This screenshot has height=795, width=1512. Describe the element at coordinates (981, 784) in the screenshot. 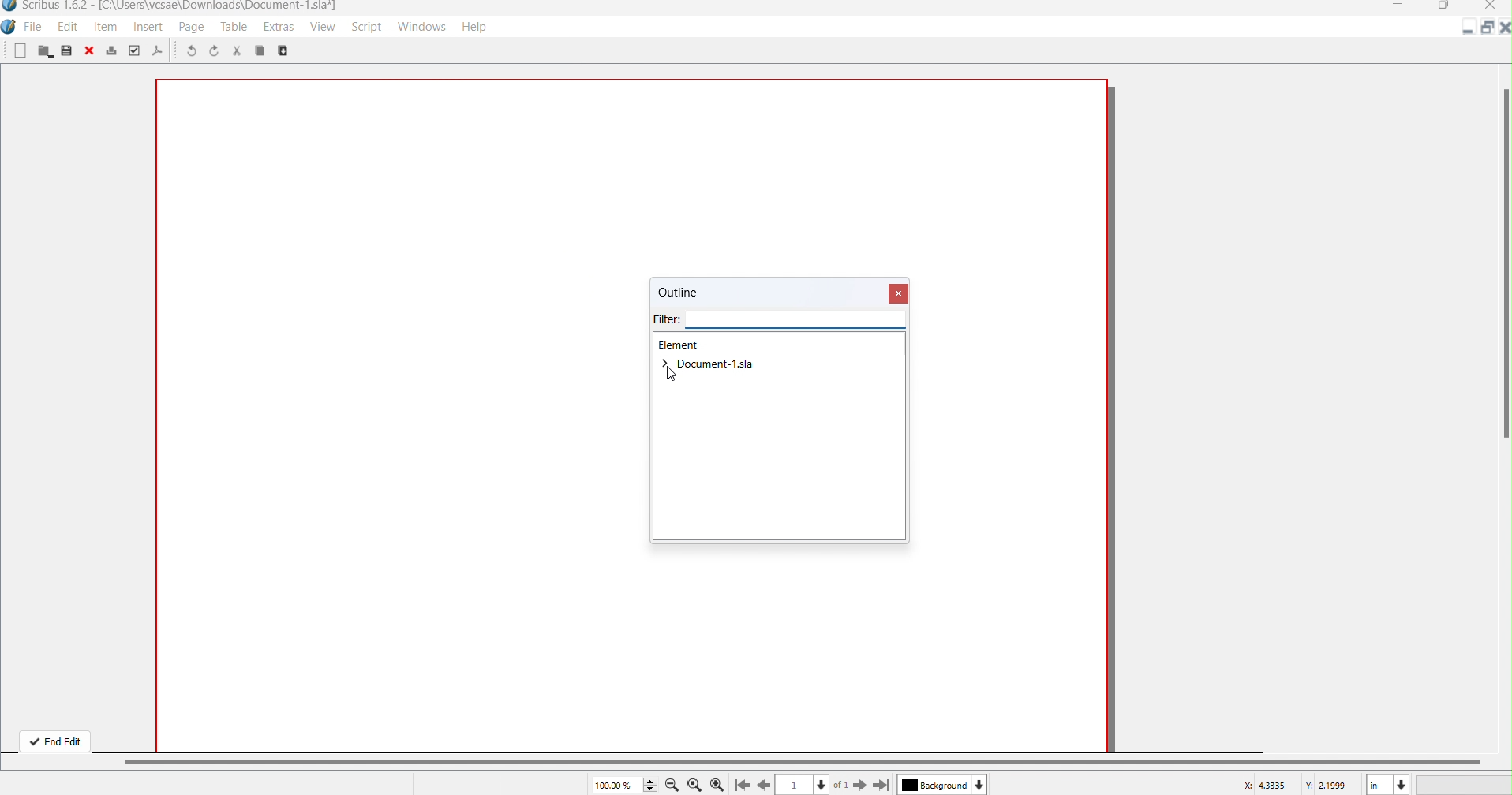

I see `down` at that location.